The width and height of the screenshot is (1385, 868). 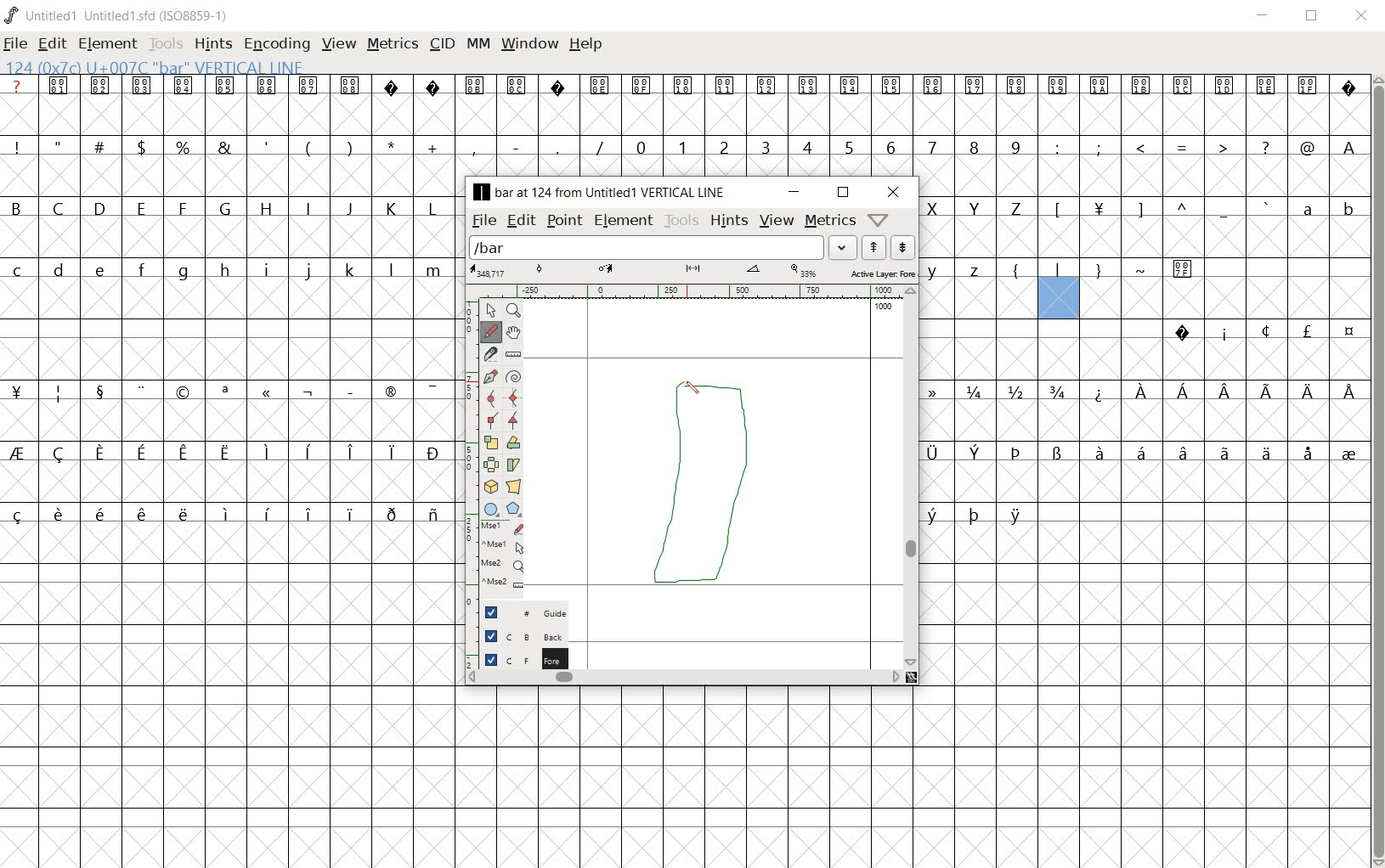 I want to click on empty cells, so click(x=913, y=775).